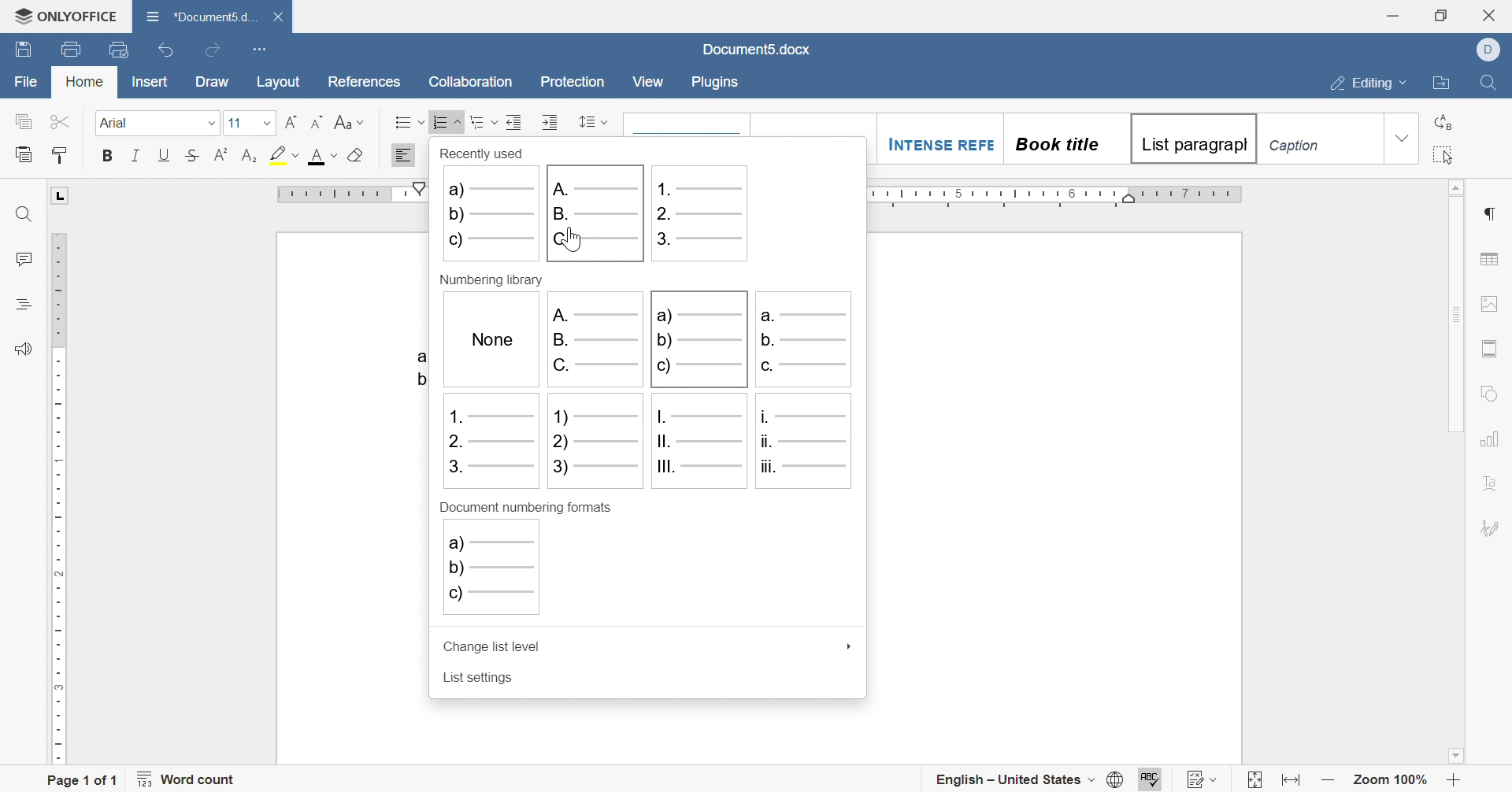  I want to click on fit to width, so click(1294, 781).